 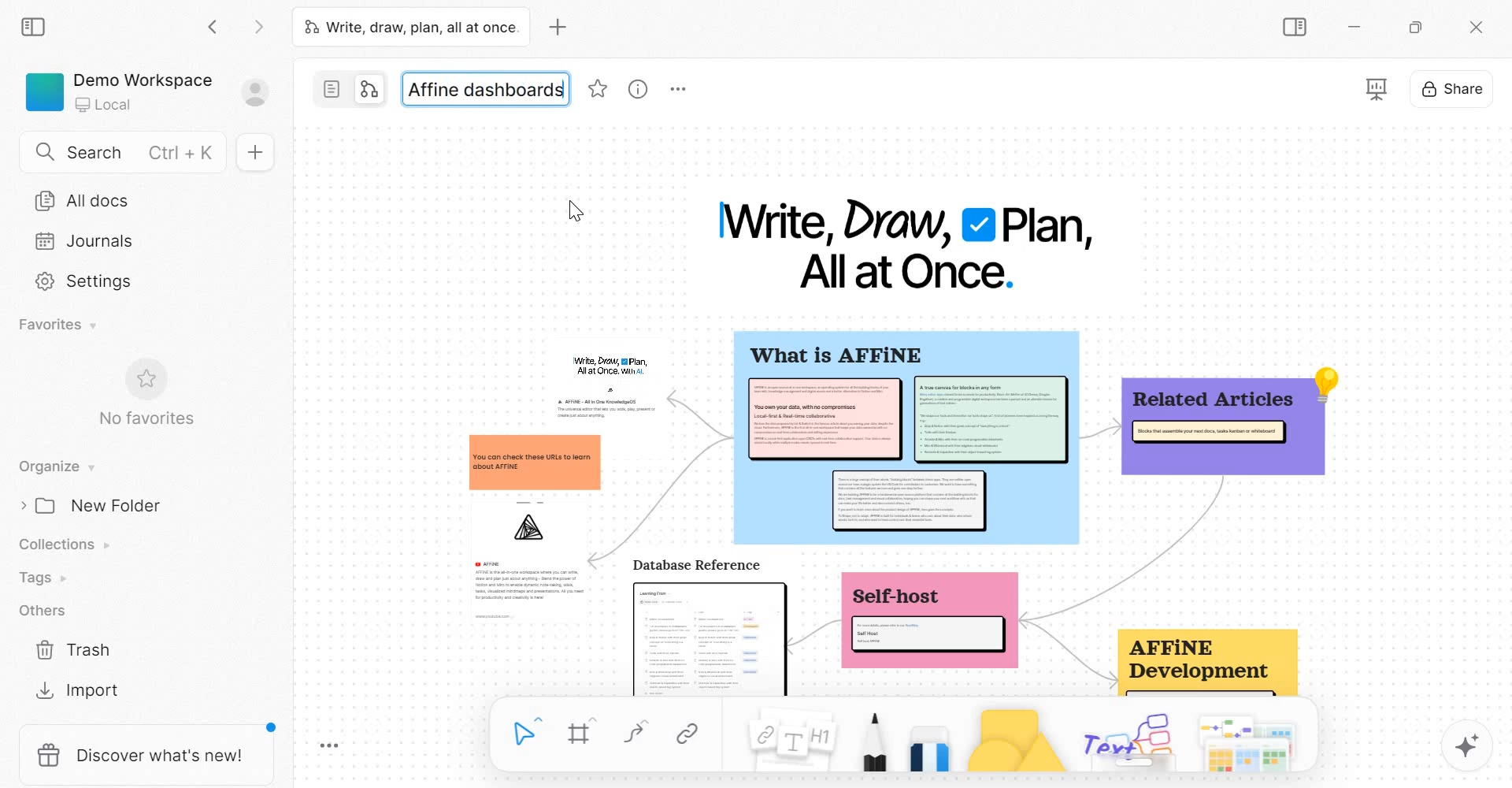 What do you see at coordinates (98, 505) in the screenshot?
I see `New Folder` at bounding box center [98, 505].